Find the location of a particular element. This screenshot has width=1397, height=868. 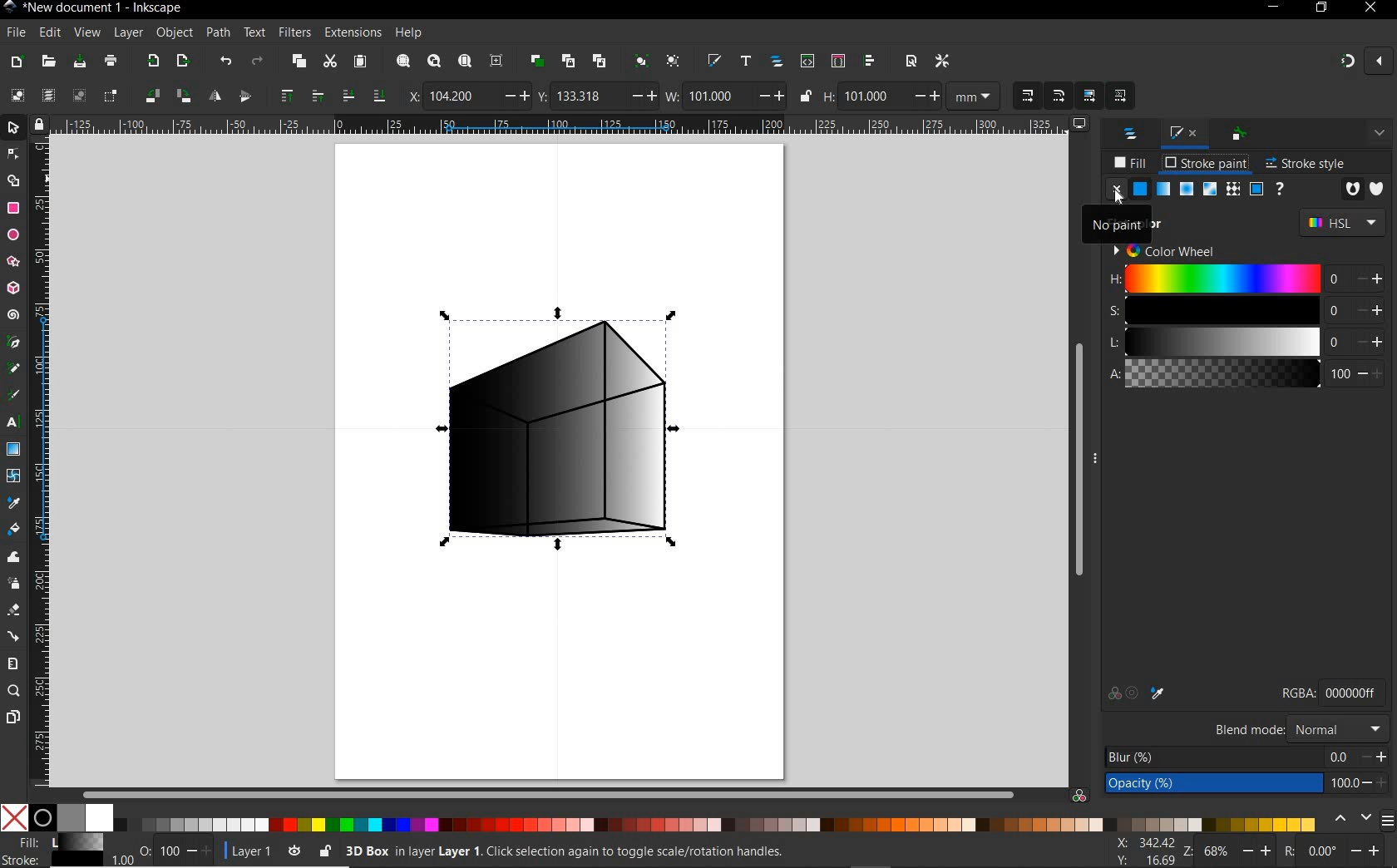

133 is located at coordinates (587, 96).